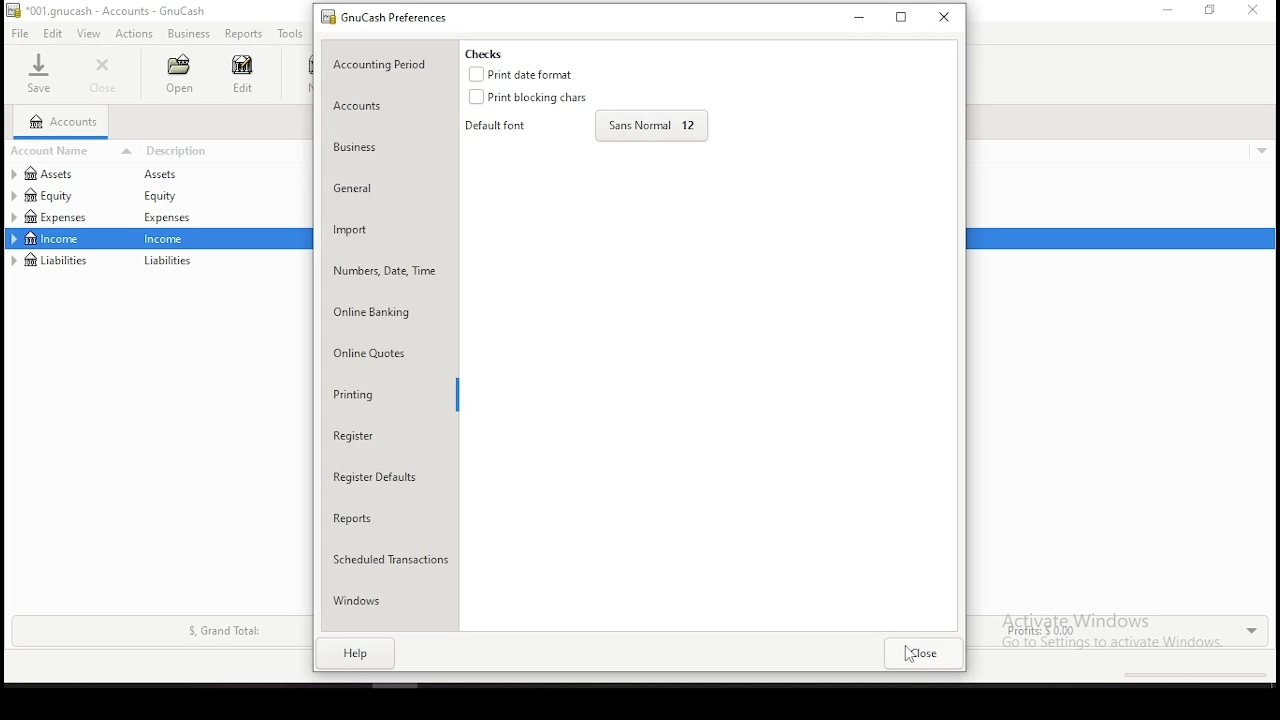 This screenshot has height=720, width=1280. I want to click on business, so click(370, 148).